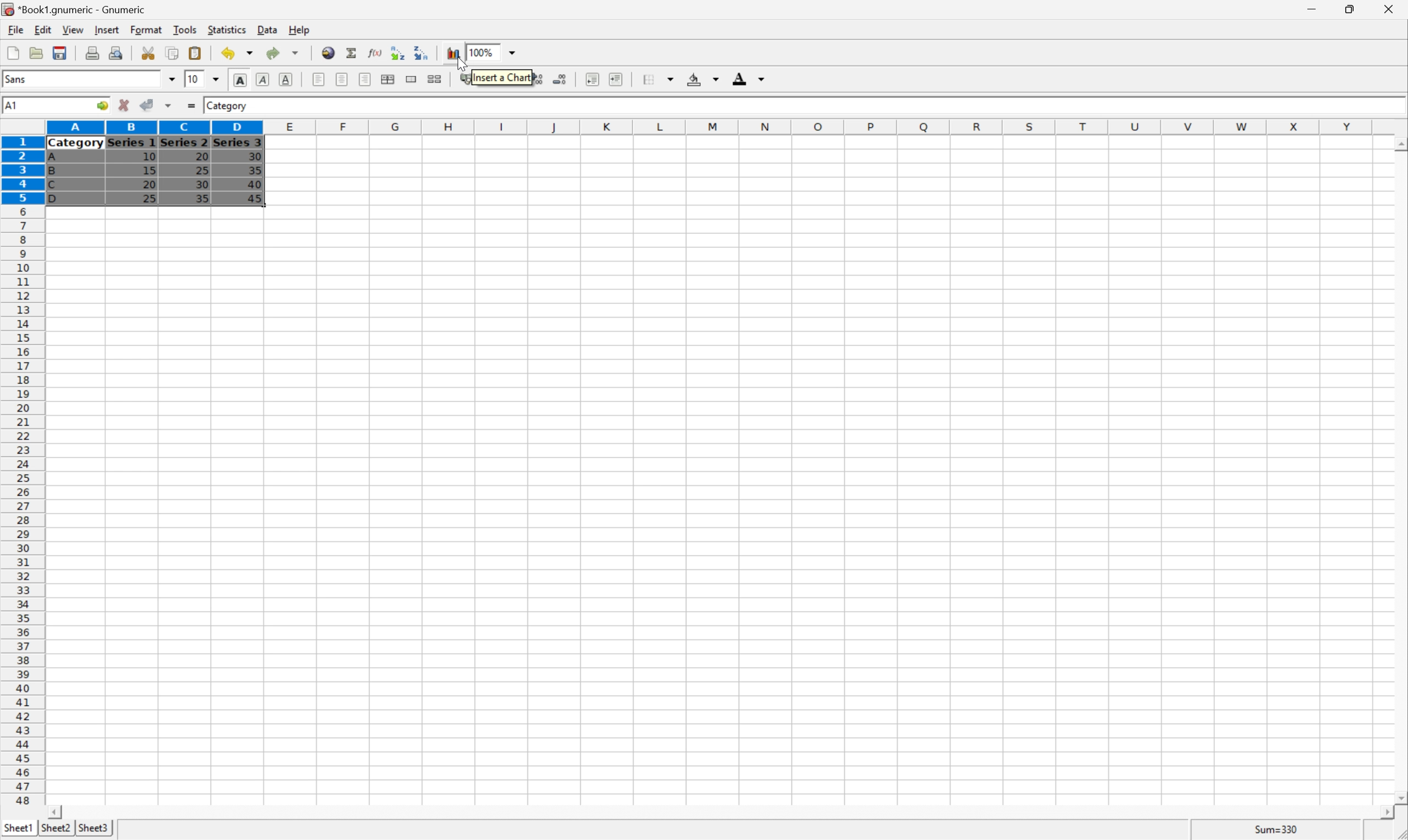  Describe the element at coordinates (149, 170) in the screenshot. I see `15` at that location.